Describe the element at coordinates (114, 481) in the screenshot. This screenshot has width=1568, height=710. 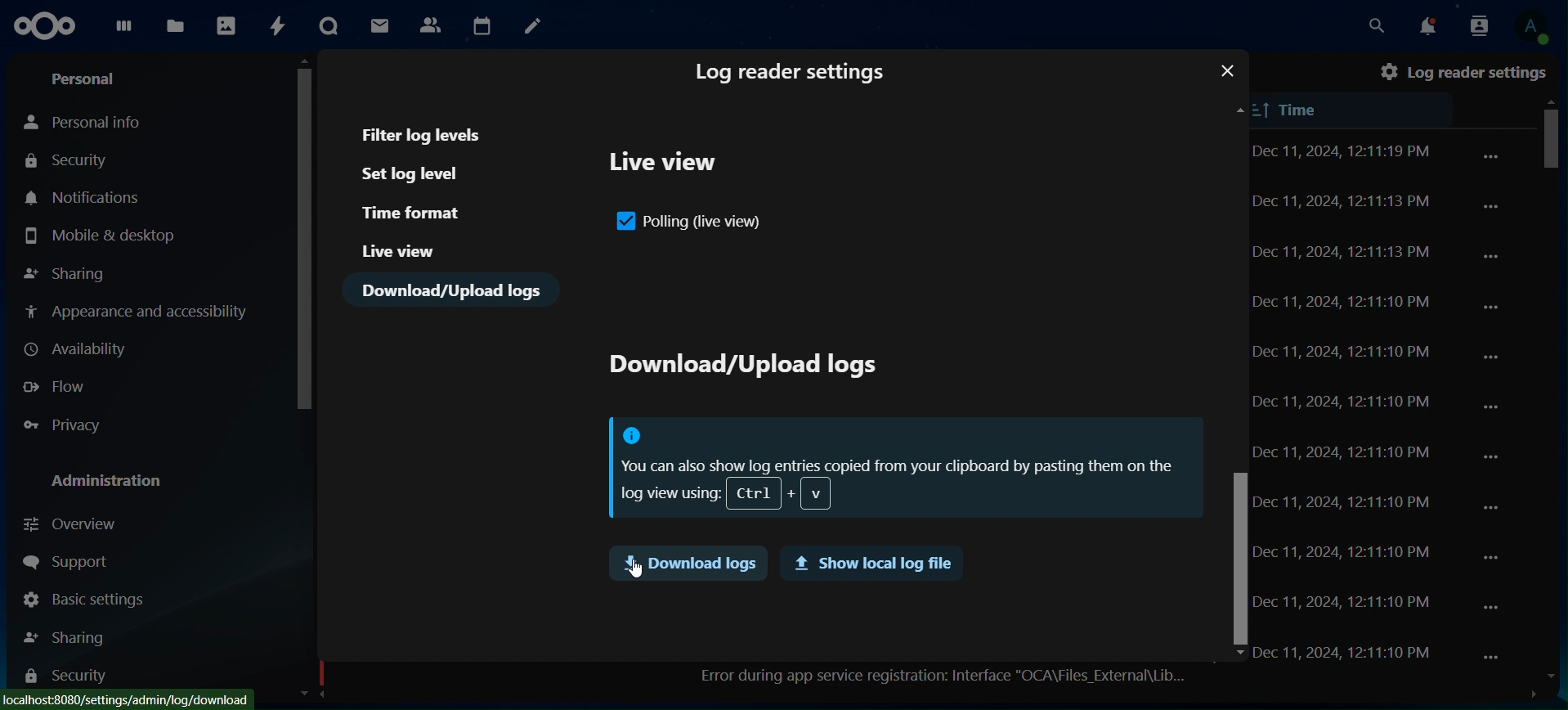
I see `administration` at that location.